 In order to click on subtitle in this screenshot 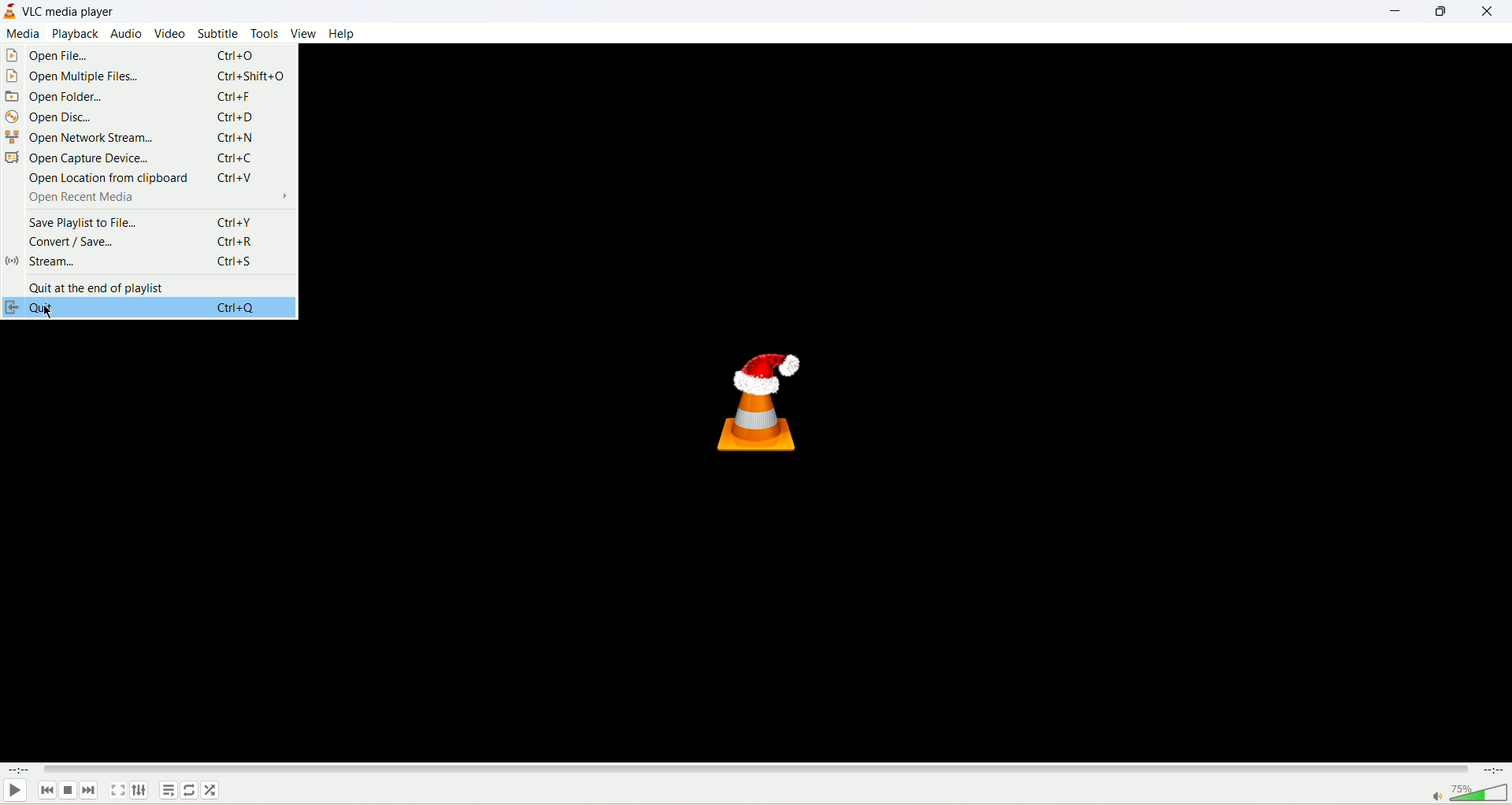, I will do `click(217, 34)`.